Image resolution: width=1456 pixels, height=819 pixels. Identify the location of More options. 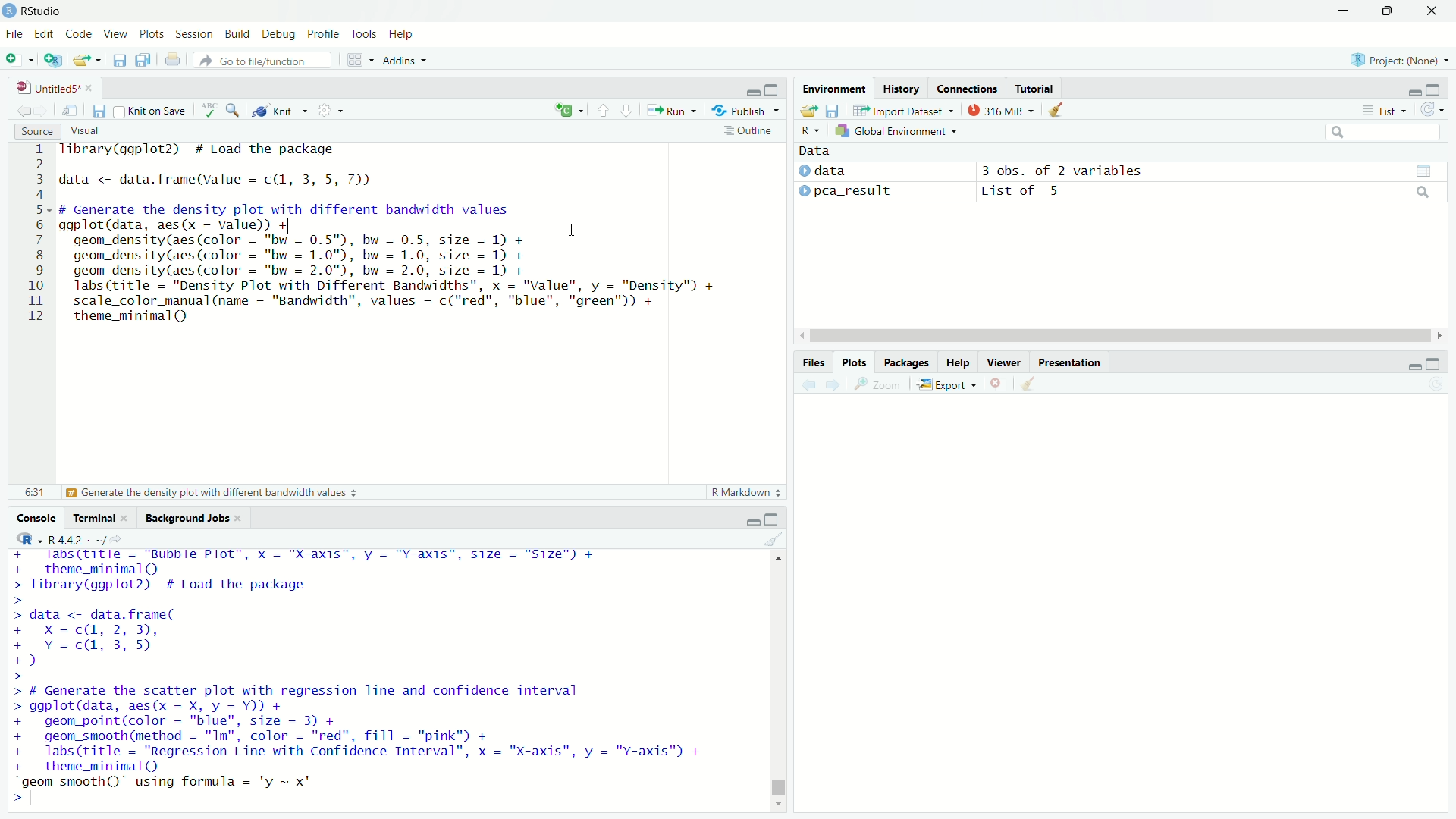
(330, 110).